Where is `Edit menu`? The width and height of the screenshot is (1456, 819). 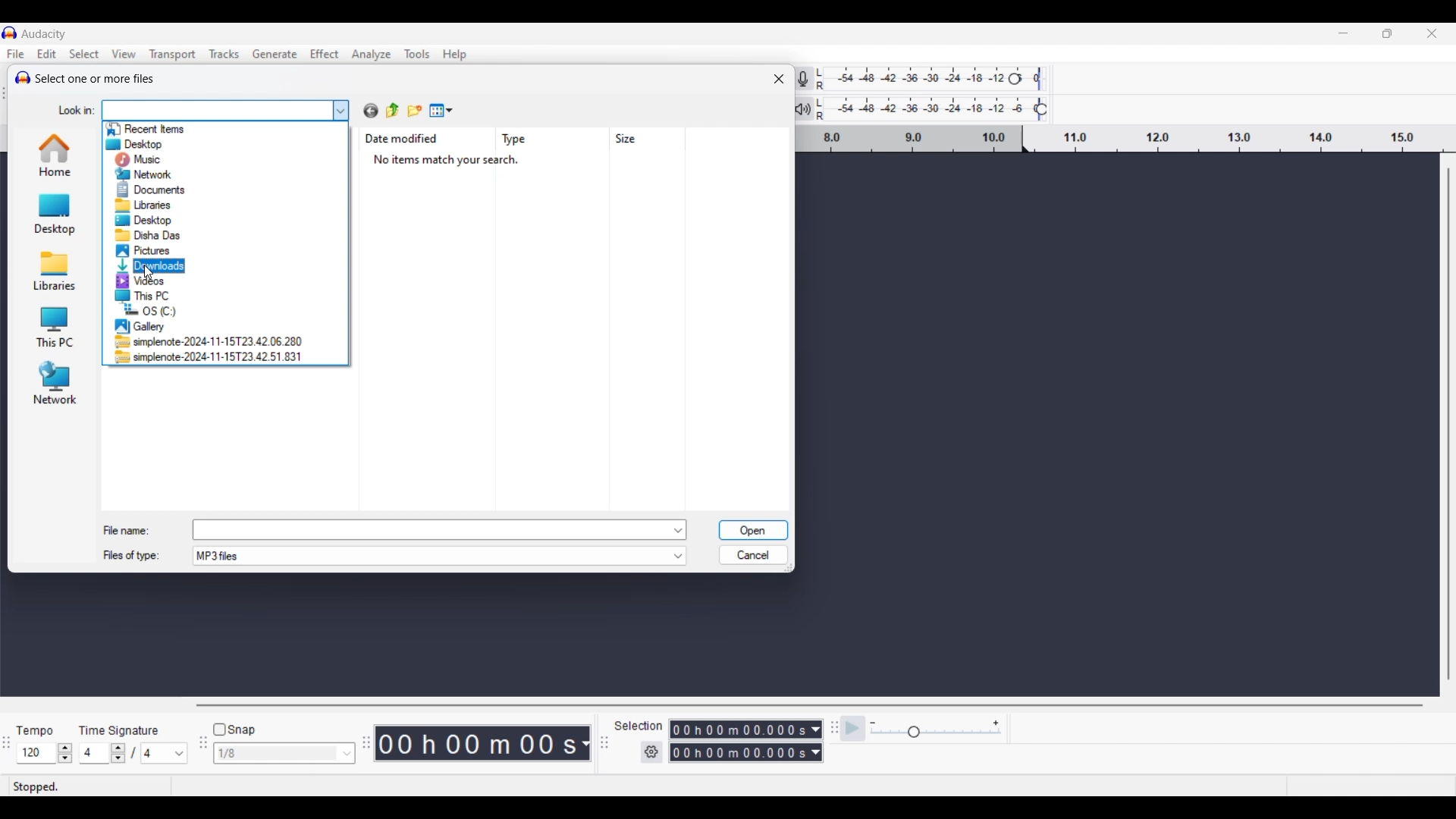
Edit menu is located at coordinates (47, 53).